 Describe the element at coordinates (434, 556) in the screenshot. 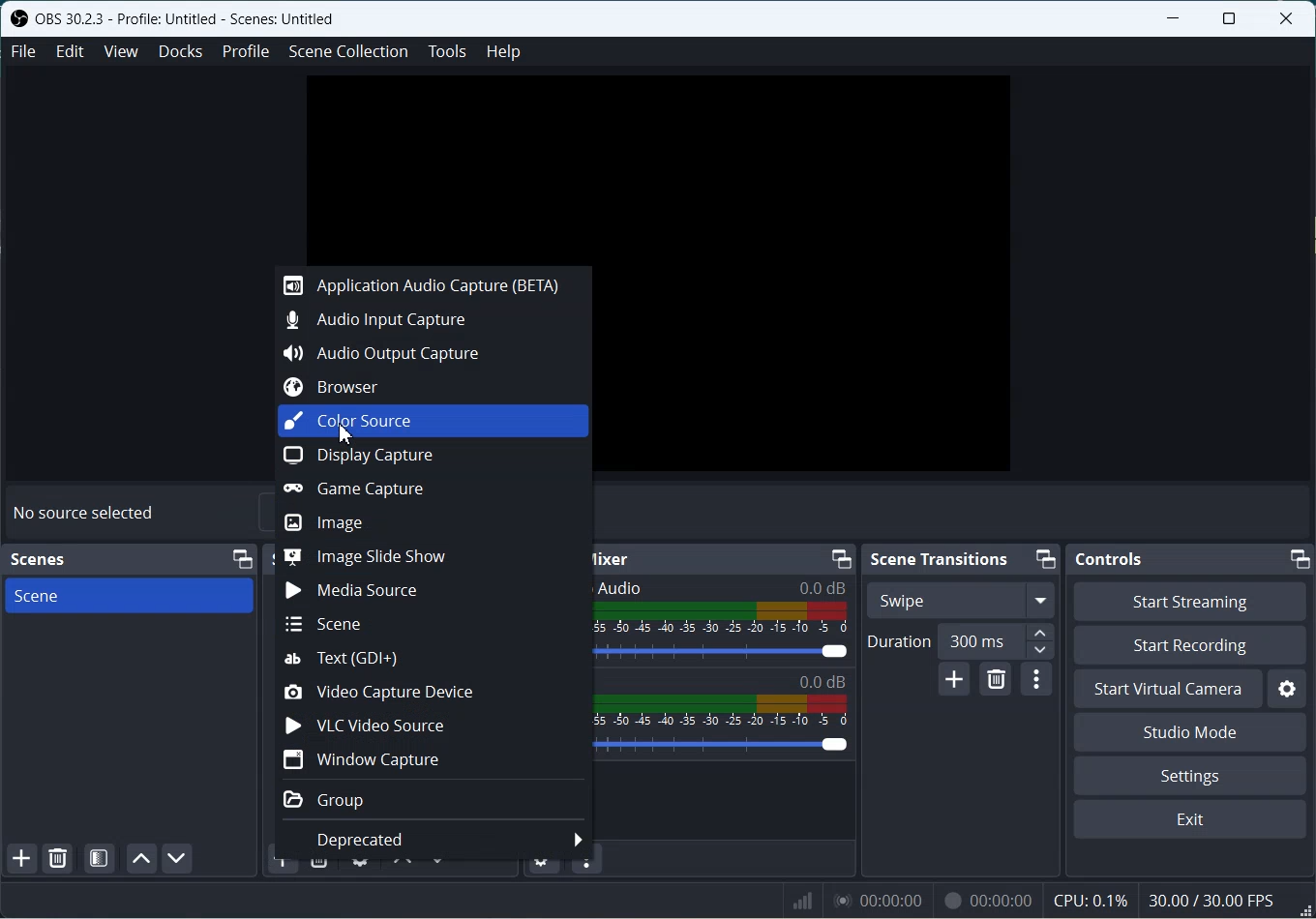

I see `Image Slide Show` at that location.